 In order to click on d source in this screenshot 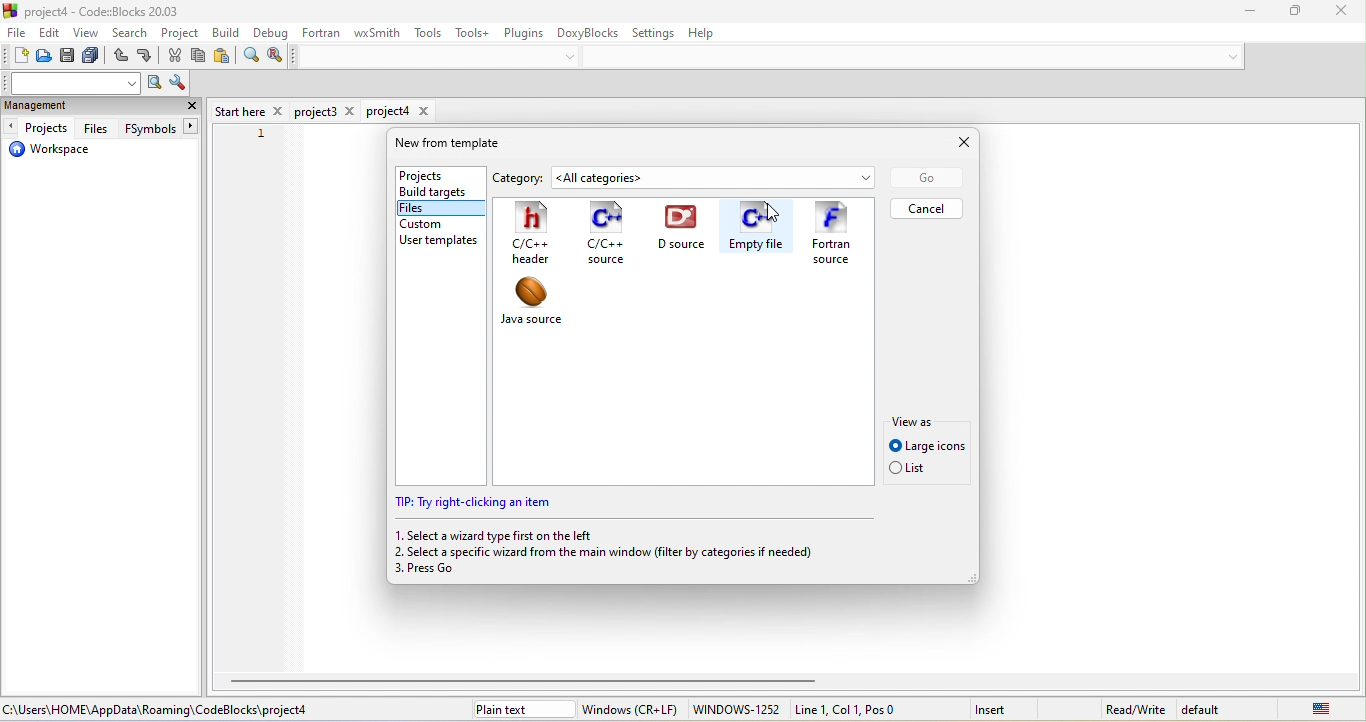, I will do `click(686, 230)`.